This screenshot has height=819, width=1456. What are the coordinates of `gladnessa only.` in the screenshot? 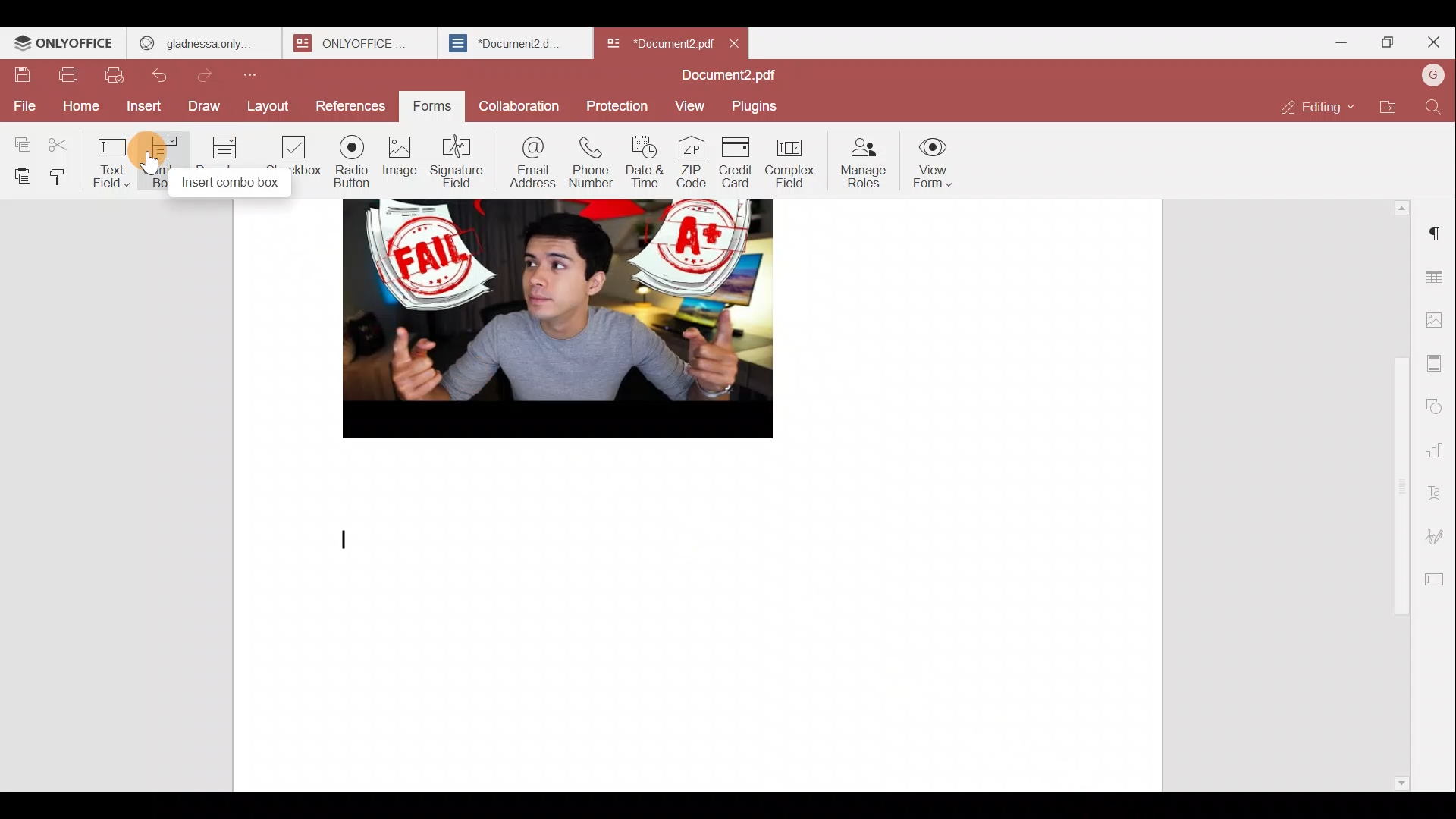 It's located at (196, 41).